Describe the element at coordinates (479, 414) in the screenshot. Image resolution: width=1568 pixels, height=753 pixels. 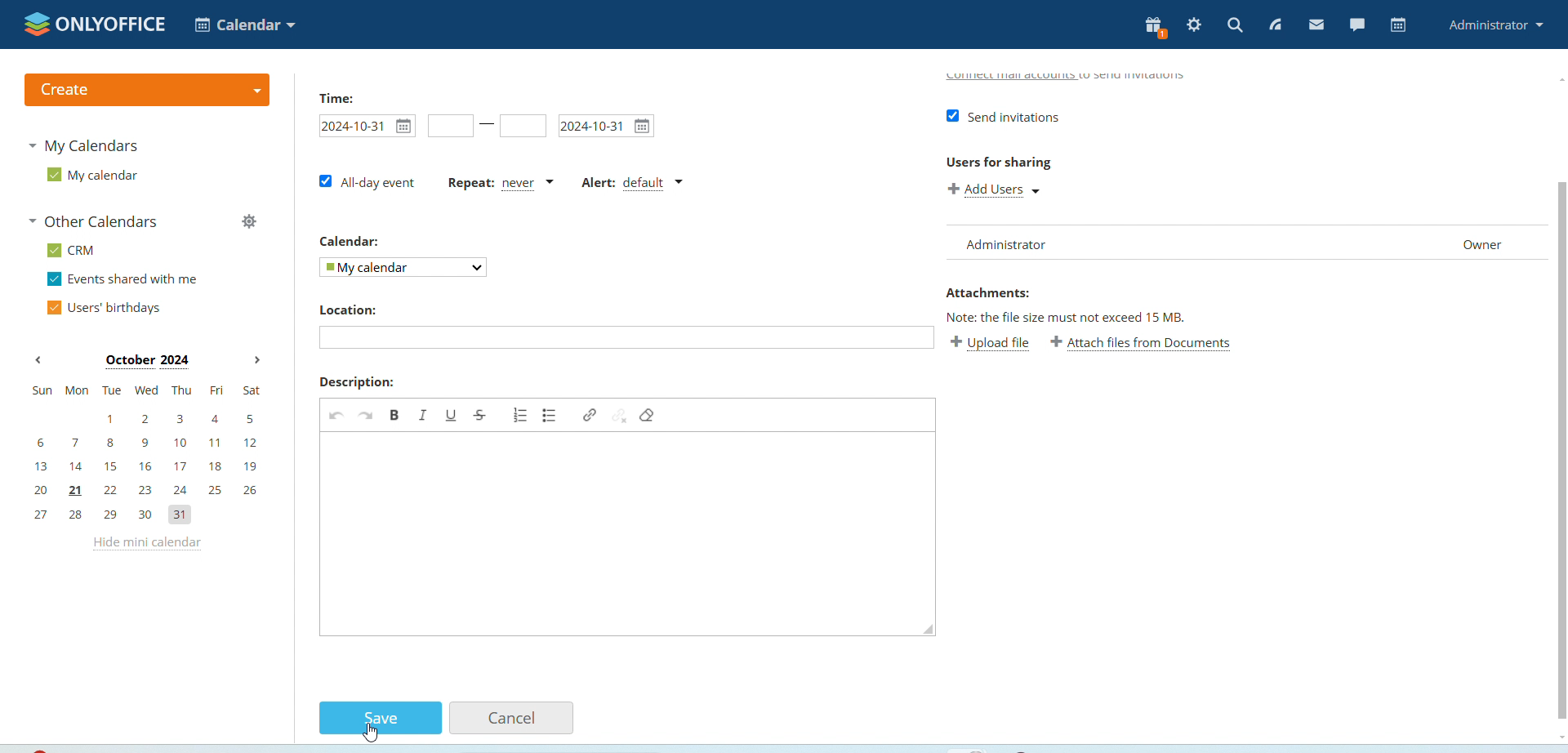
I see `Strike through` at that location.